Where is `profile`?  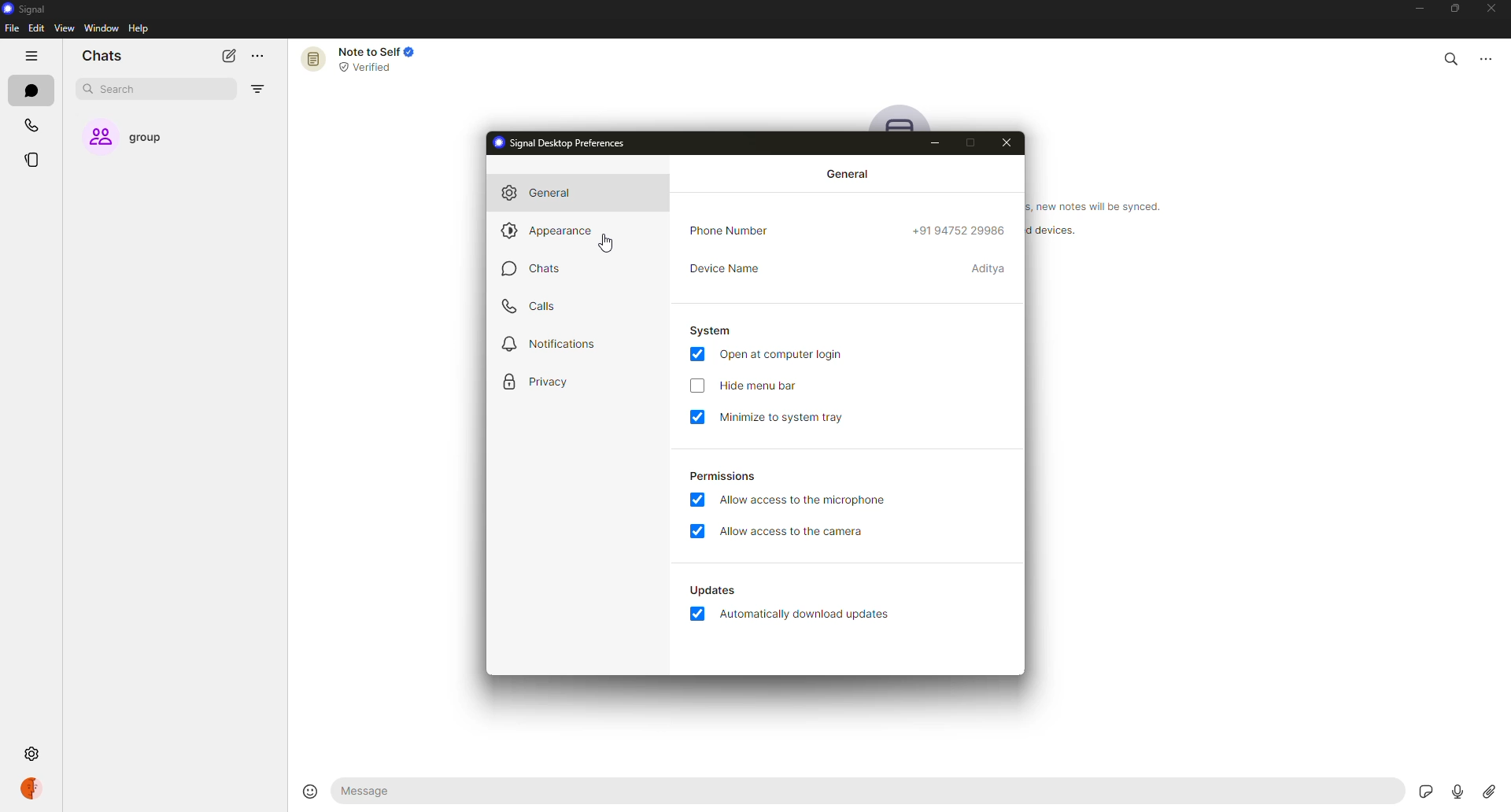 profile is located at coordinates (35, 792).